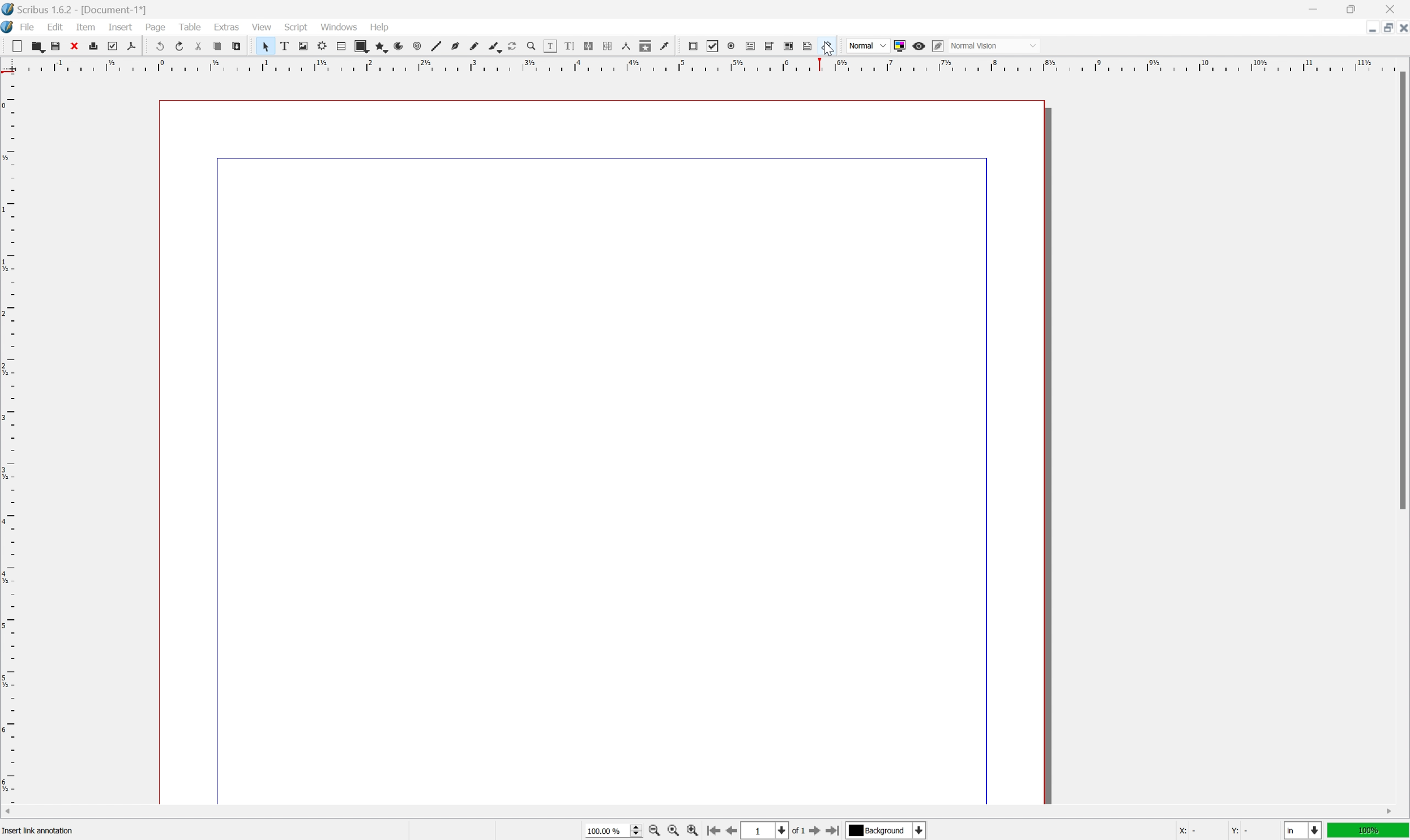 Image resolution: width=1410 pixels, height=840 pixels. What do you see at coordinates (303, 46) in the screenshot?
I see `image frame` at bounding box center [303, 46].